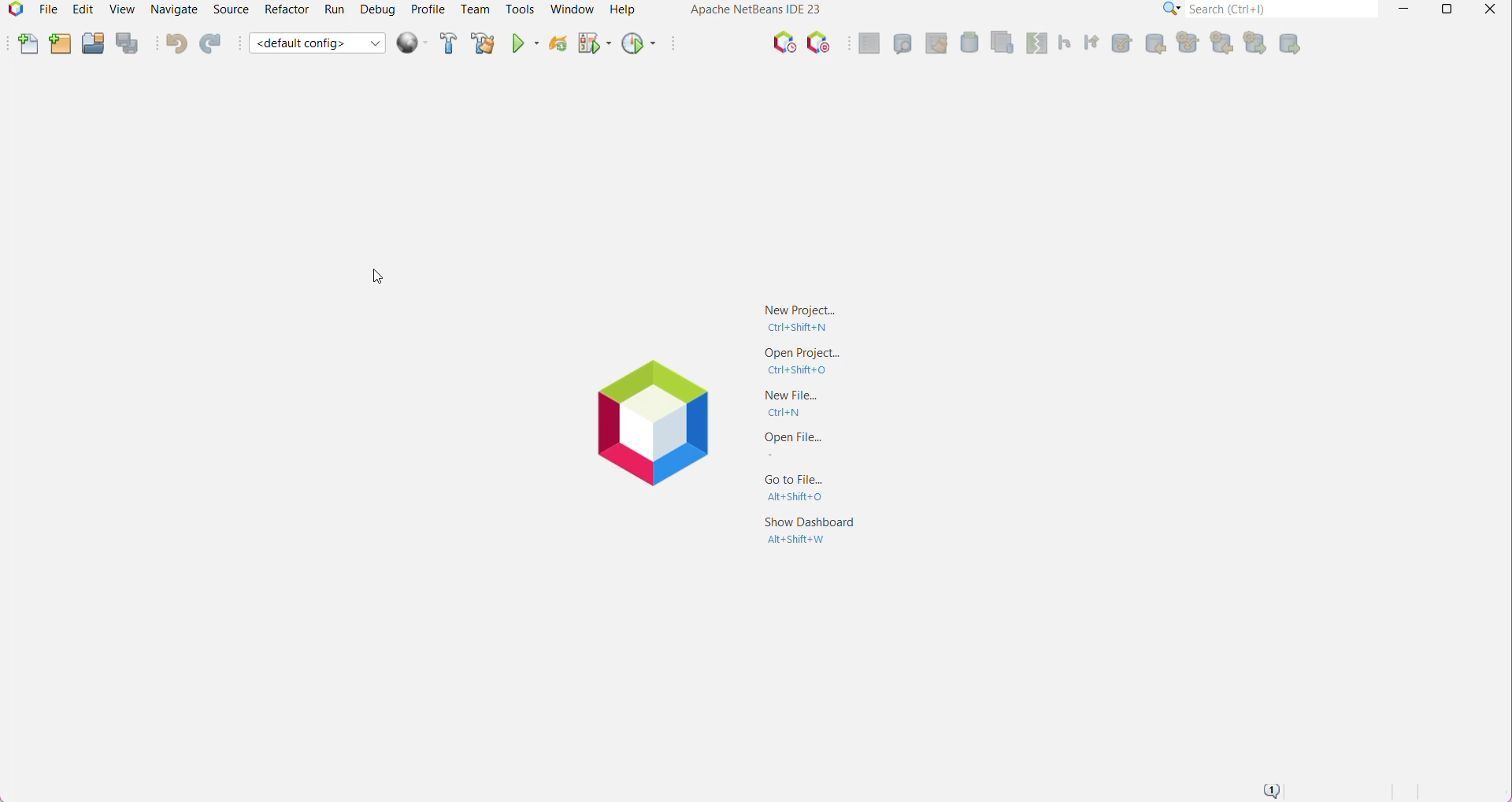 The height and width of the screenshot is (802, 1512). Describe the element at coordinates (1220, 43) in the screenshot. I see `Fetch` at that location.